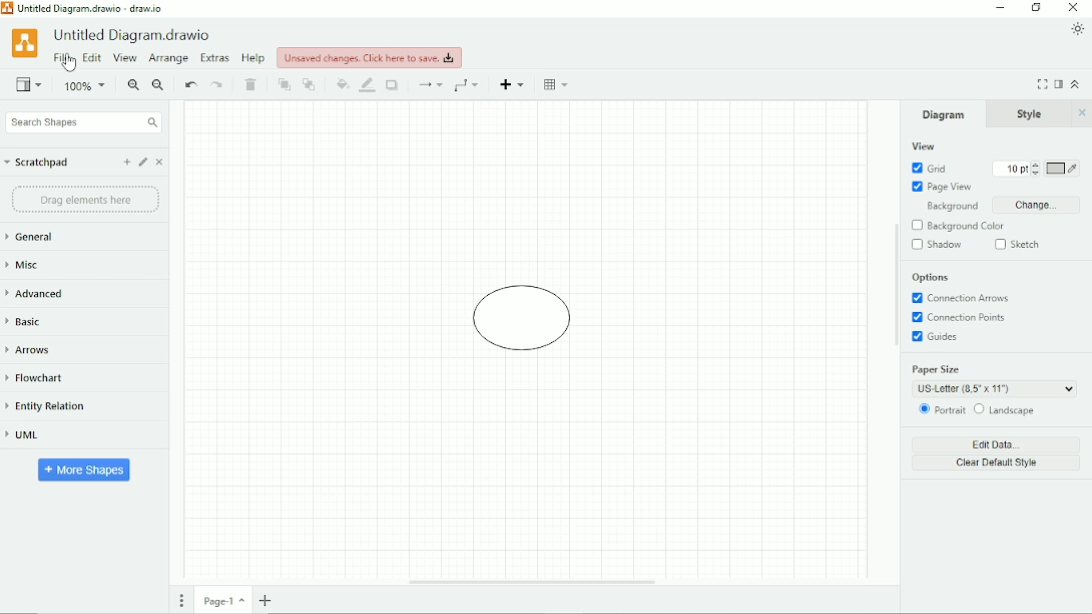  What do you see at coordinates (191, 84) in the screenshot?
I see `Undo` at bounding box center [191, 84].